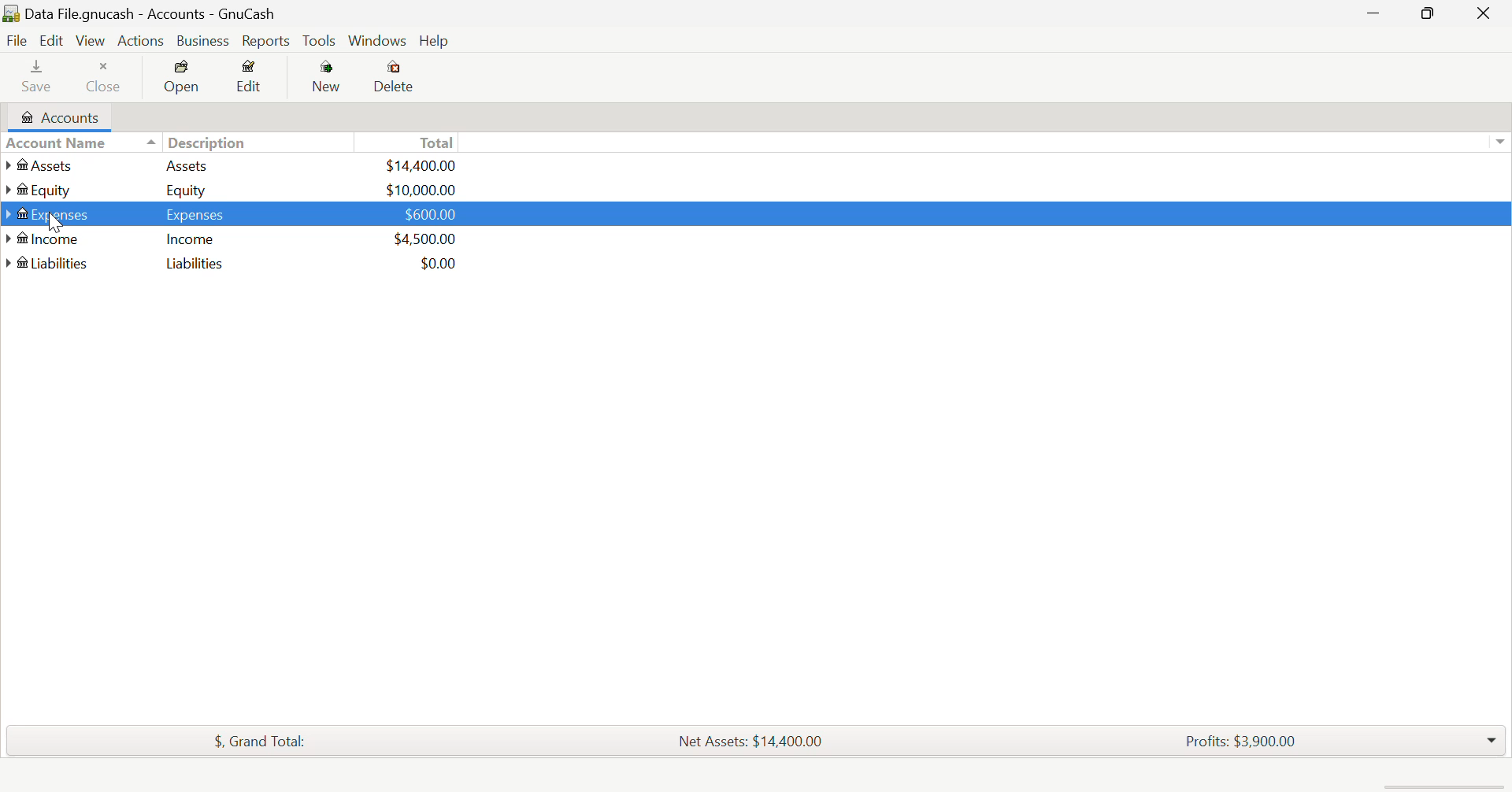 The width and height of the screenshot is (1512, 792). I want to click on Total, so click(435, 142).